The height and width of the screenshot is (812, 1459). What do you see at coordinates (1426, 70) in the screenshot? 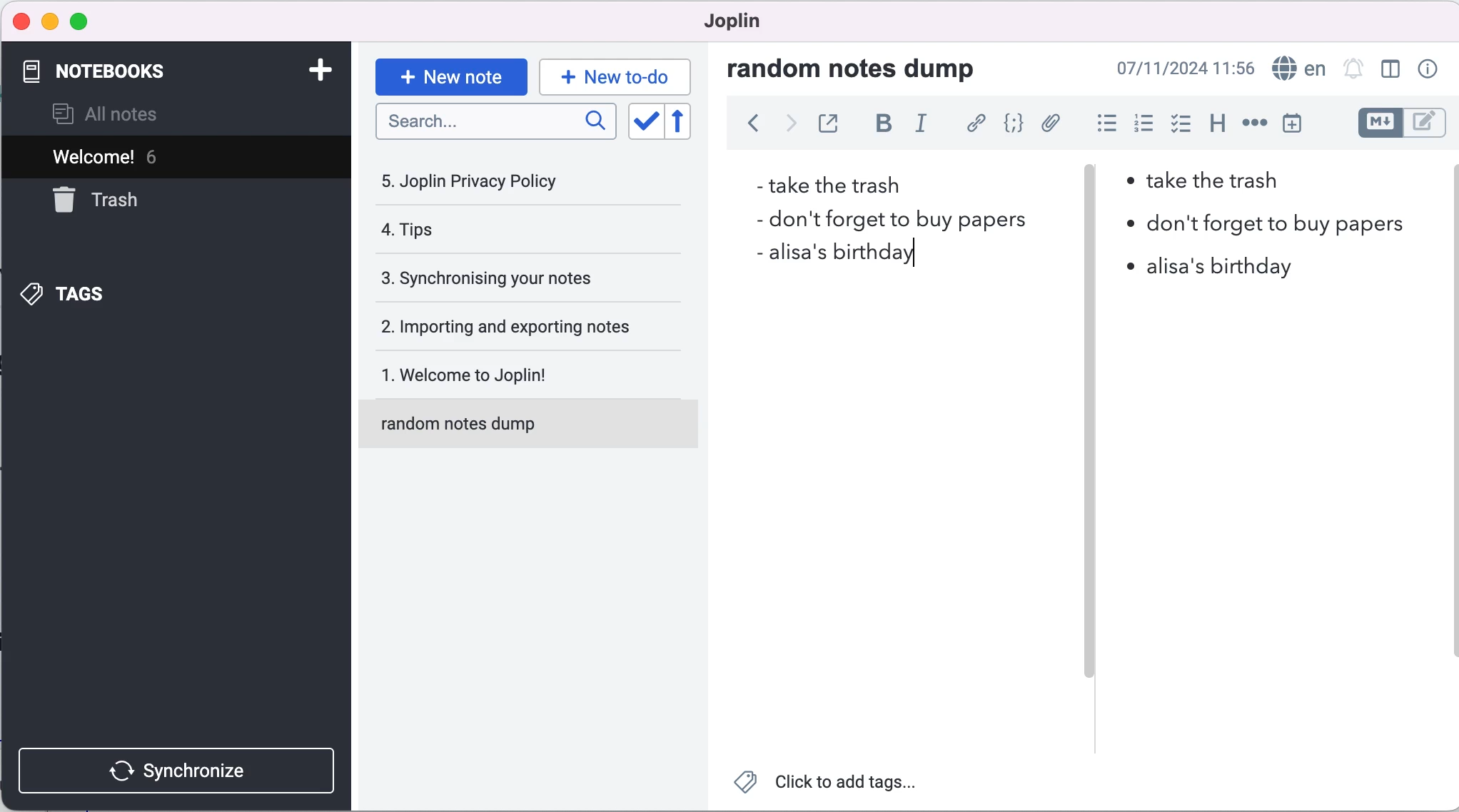
I see `note properties` at bounding box center [1426, 70].